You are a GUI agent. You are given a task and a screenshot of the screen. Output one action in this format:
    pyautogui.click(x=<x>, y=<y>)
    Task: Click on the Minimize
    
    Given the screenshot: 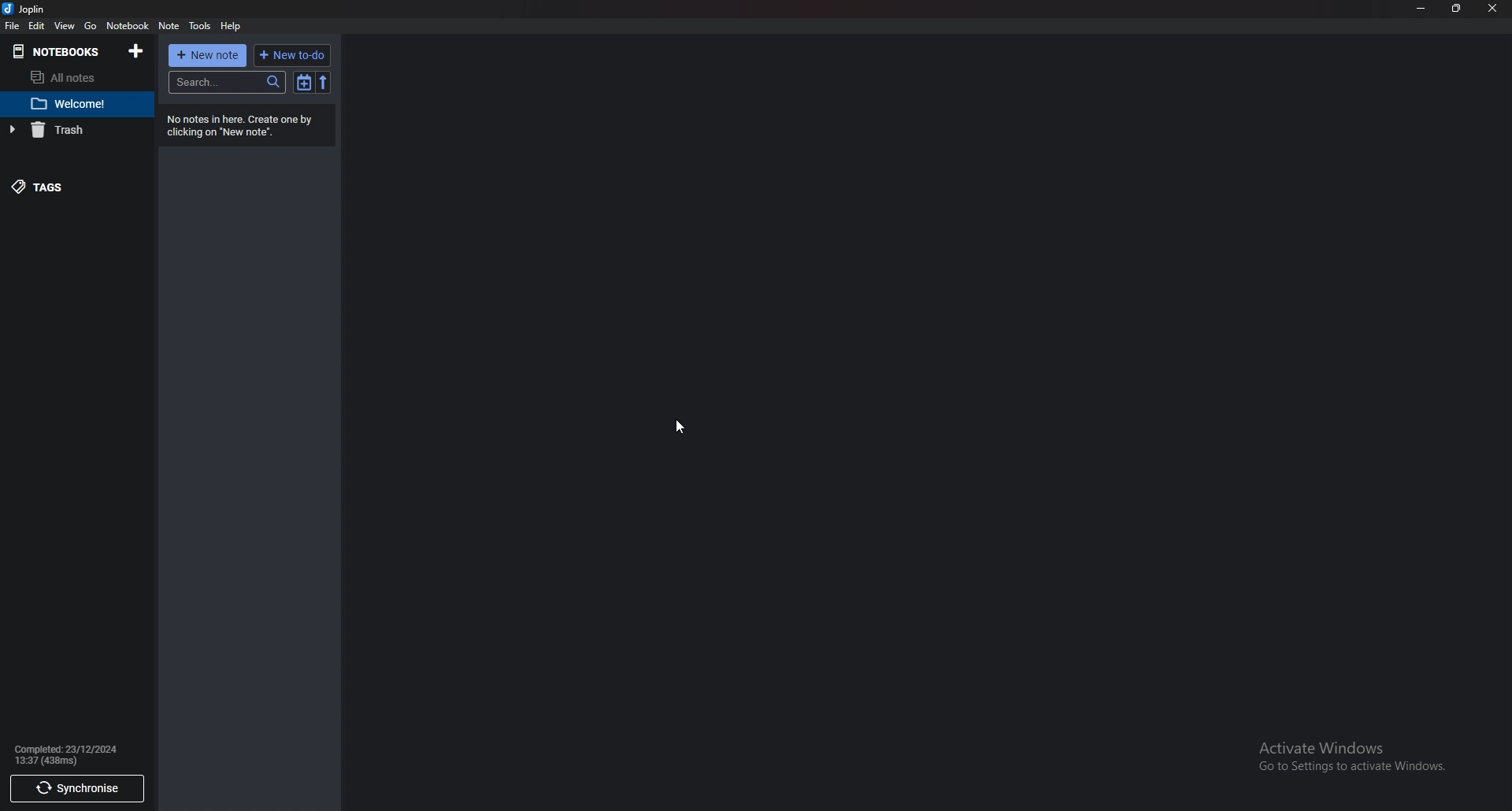 What is the action you would take?
    pyautogui.click(x=1421, y=7)
    